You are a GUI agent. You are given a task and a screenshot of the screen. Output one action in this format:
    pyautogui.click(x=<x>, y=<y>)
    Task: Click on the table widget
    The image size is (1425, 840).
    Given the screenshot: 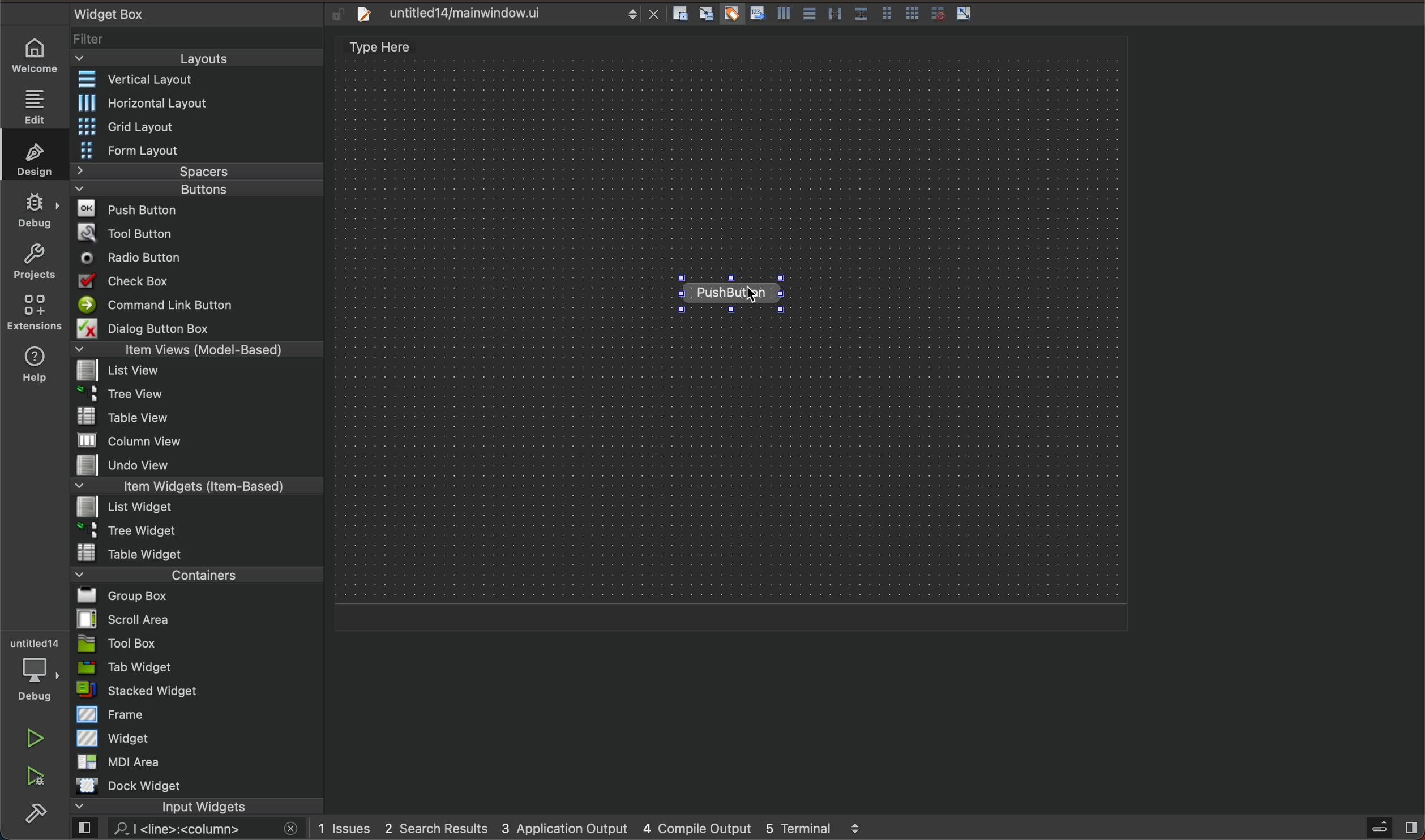 What is the action you would take?
    pyautogui.click(x=200, y=553)
    